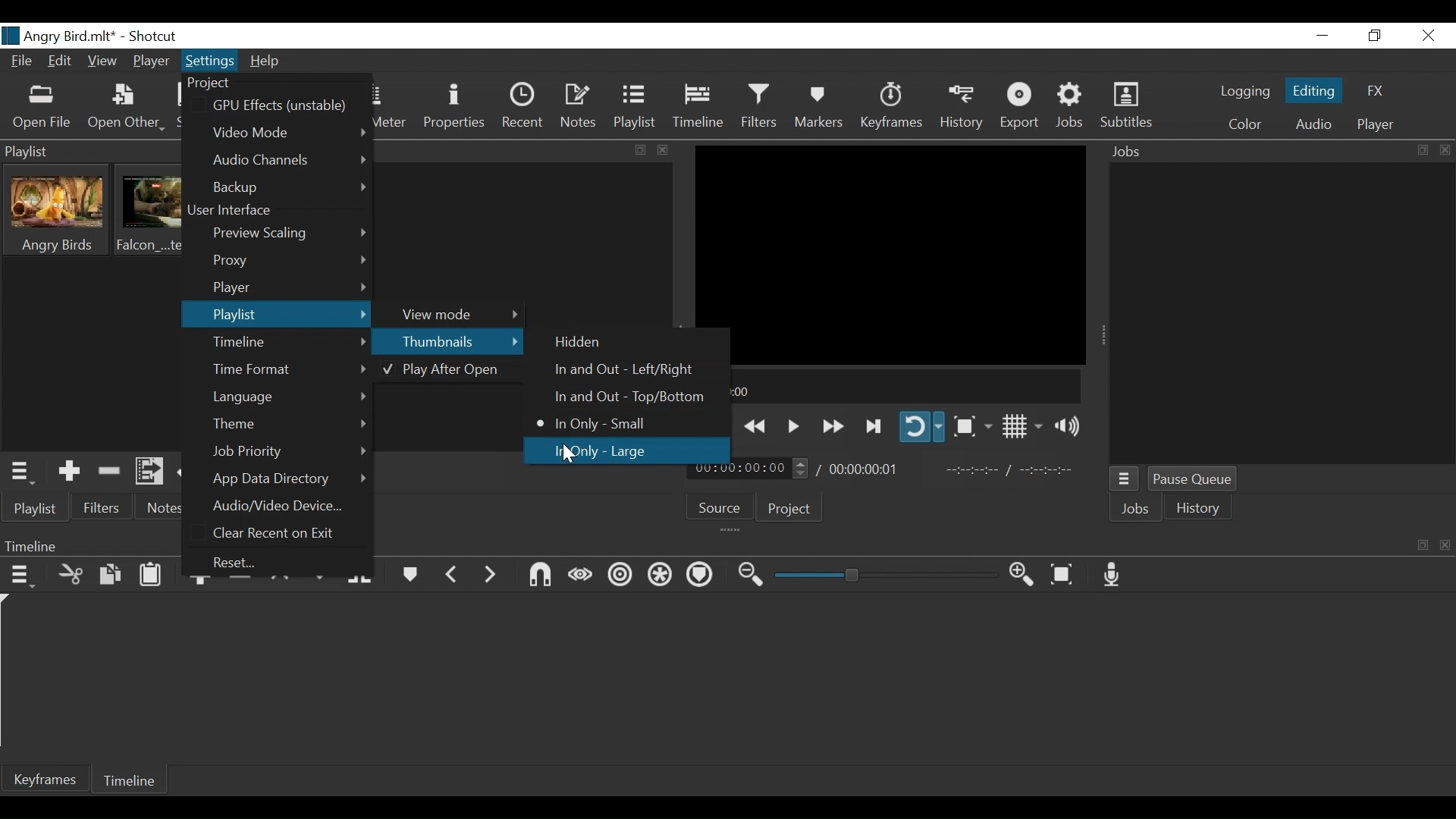  I want to click on Shotcut, so click(154, 36).